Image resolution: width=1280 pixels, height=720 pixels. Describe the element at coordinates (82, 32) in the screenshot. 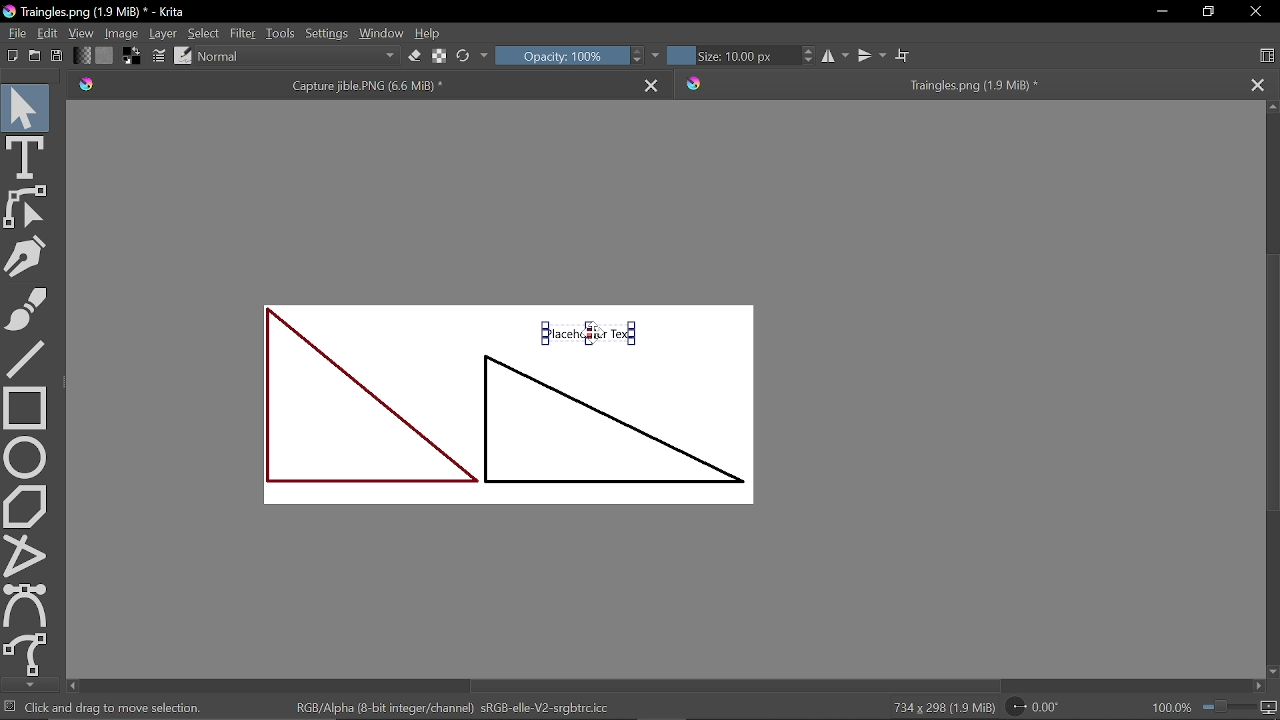

I see `View` at that location.